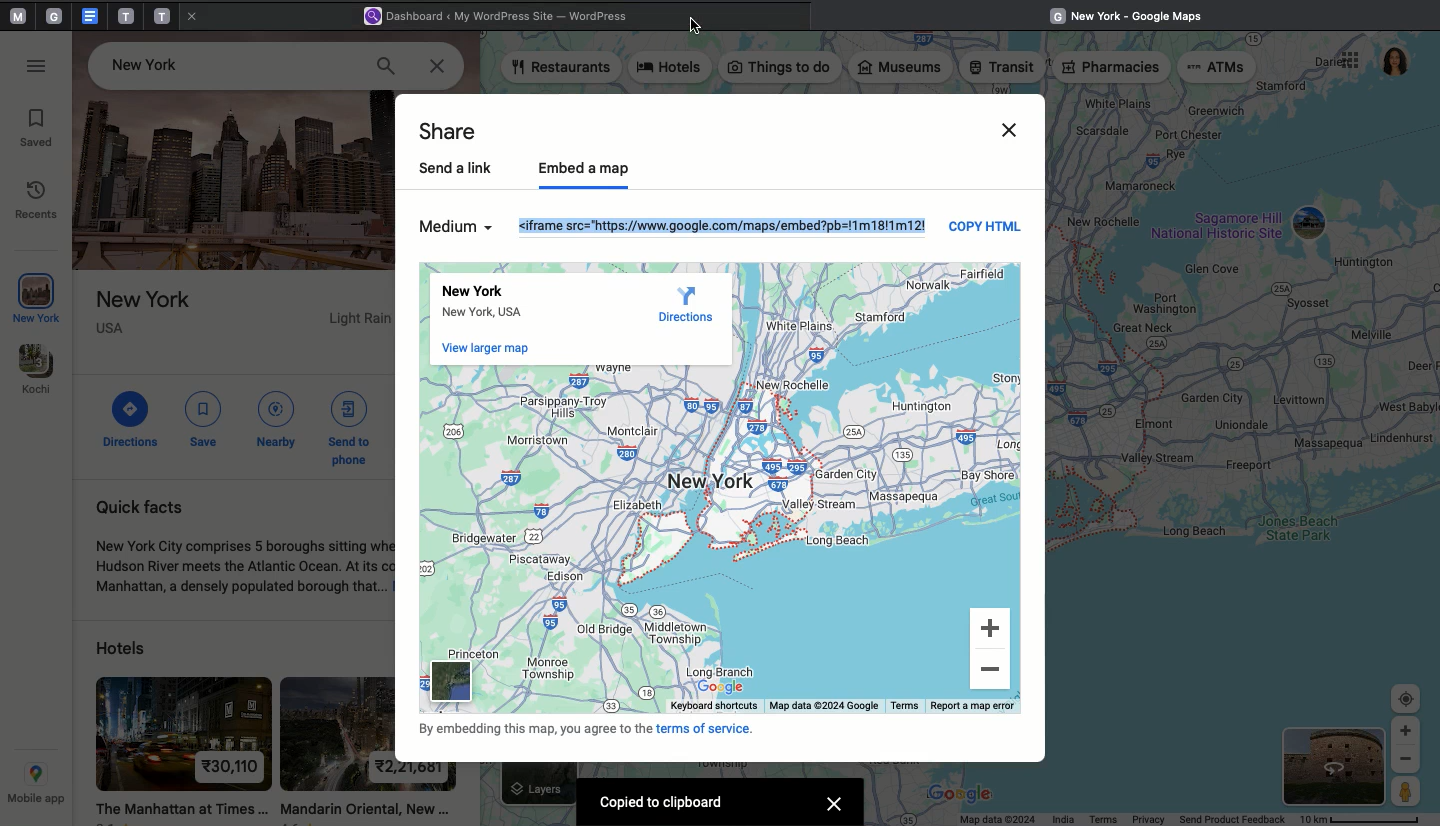  Describe the element at coordinates (688, 540) in the screenshot. I see `MAP` at that location.